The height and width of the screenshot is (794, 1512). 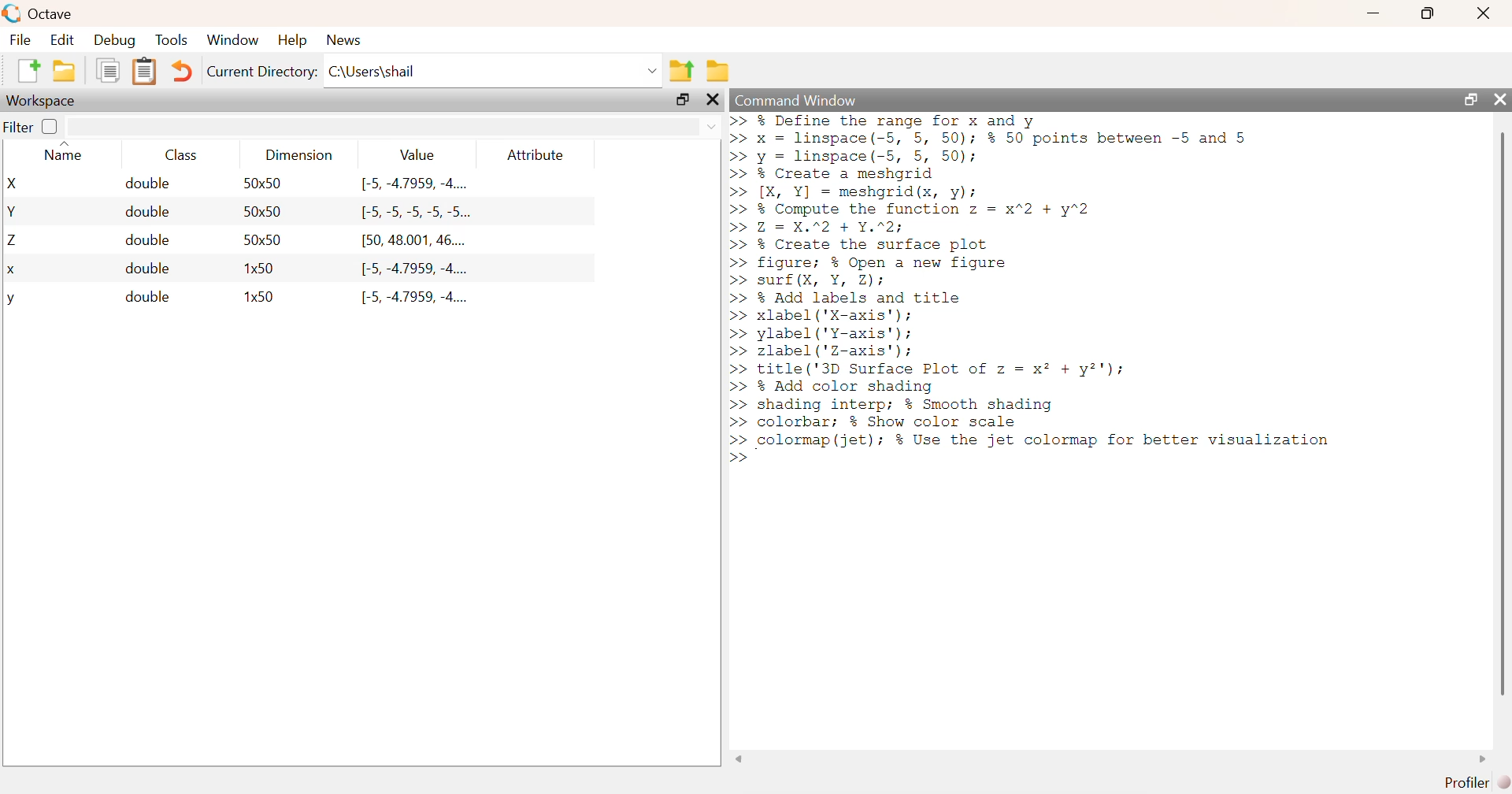 What do you see at coordinates (682, 71) in the screenshot?
I see `Previous Folder` at bounding box center [682, 71].